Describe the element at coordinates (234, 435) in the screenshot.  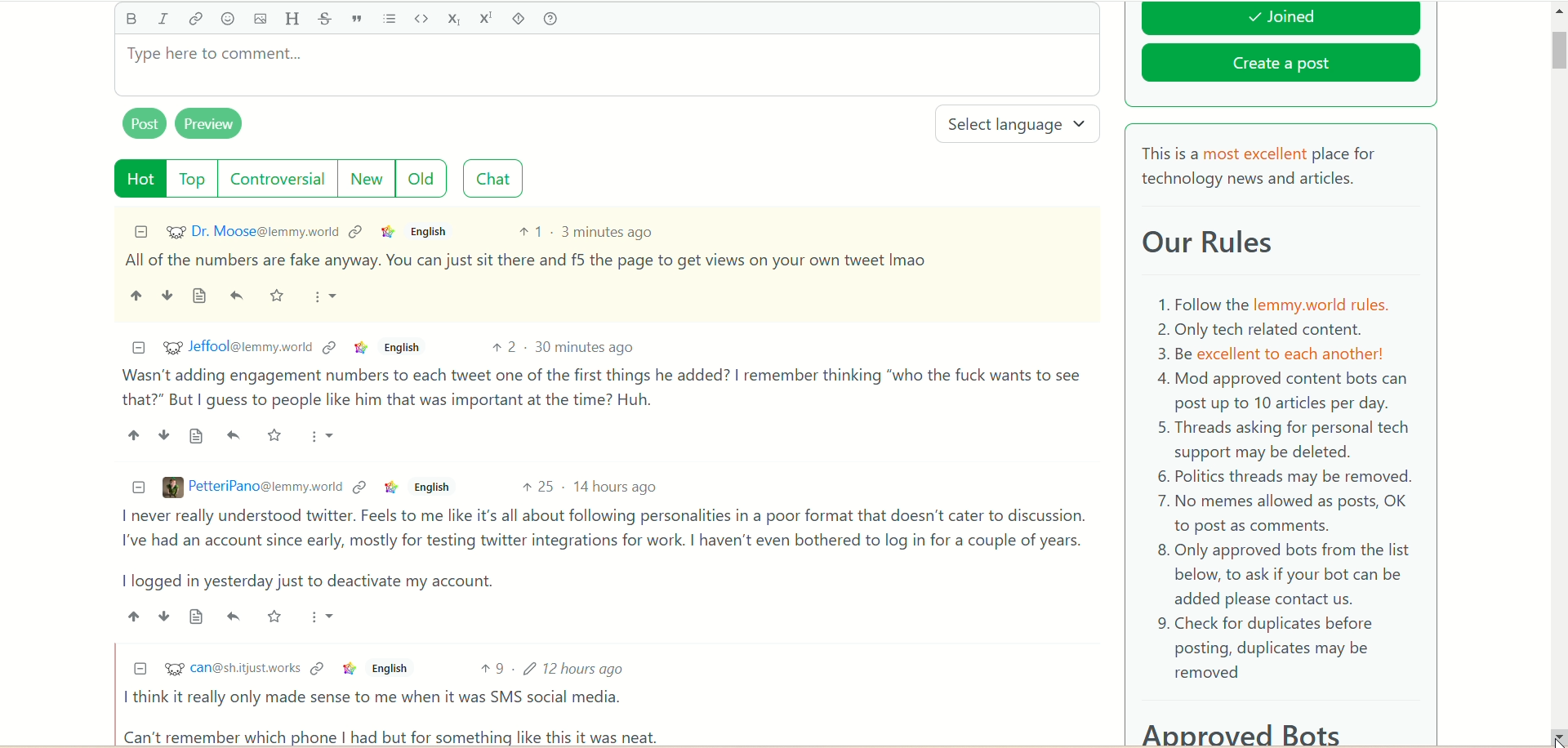
I see `Share` at that location.